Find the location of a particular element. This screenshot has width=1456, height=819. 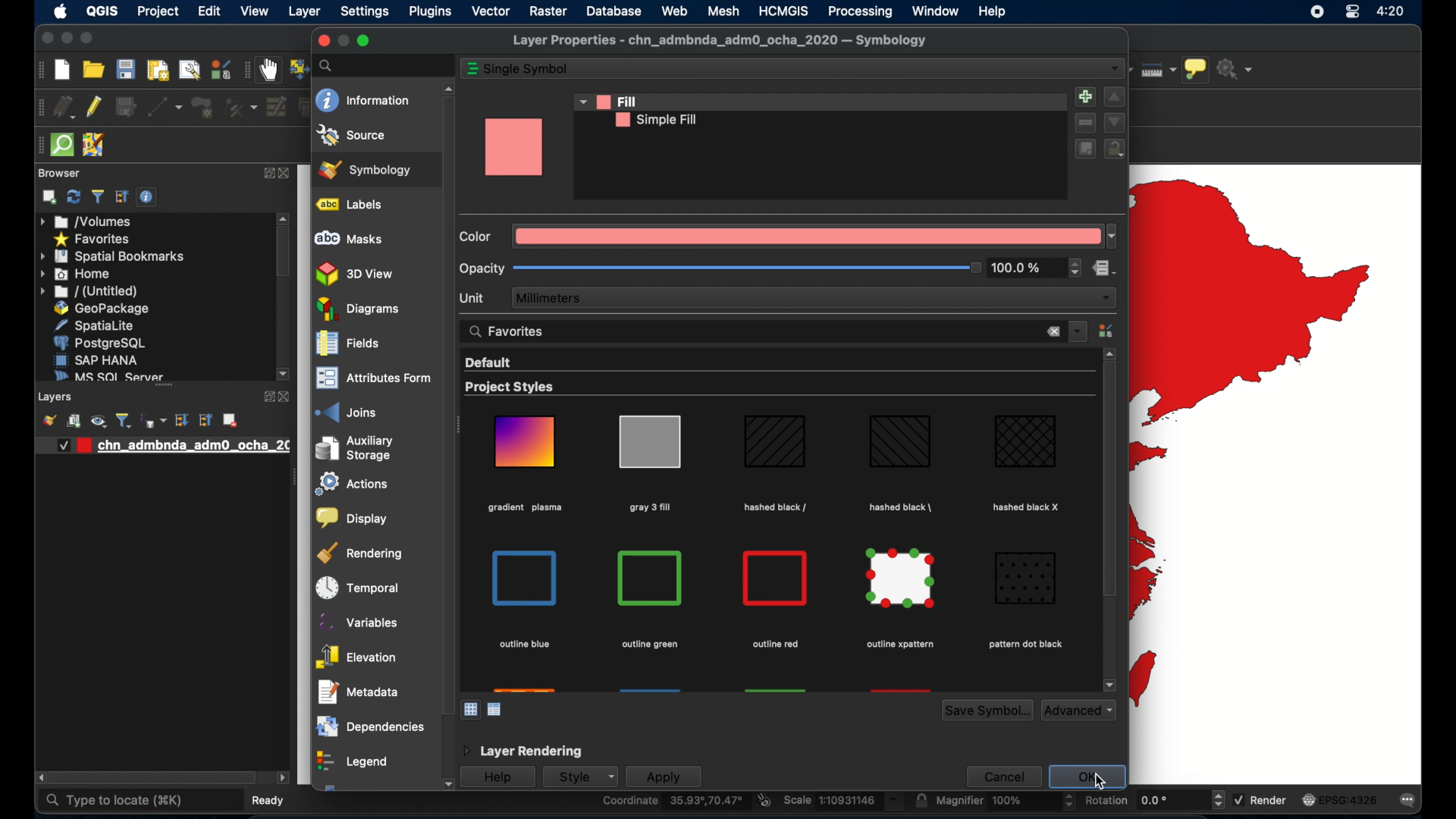

scroll box is located at coordinates (1108, 483).